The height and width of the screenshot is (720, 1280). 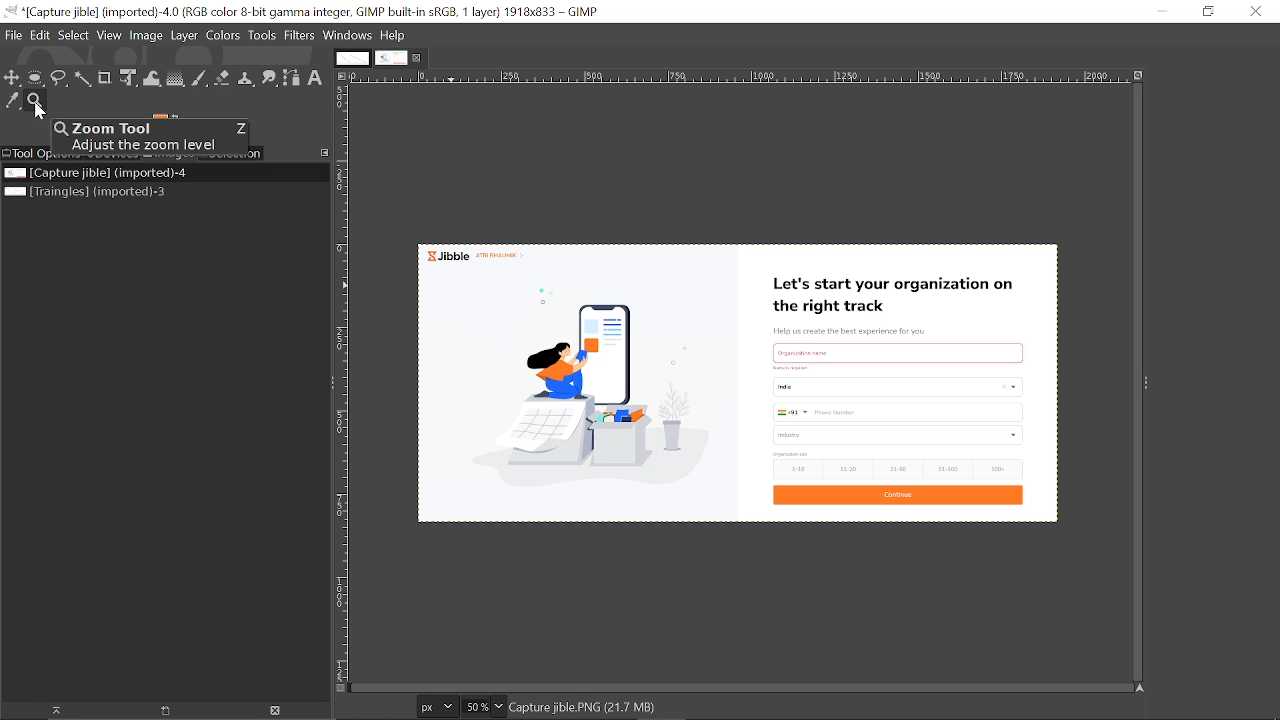 I want to click on Clone tool, so click(x=245, y=79).